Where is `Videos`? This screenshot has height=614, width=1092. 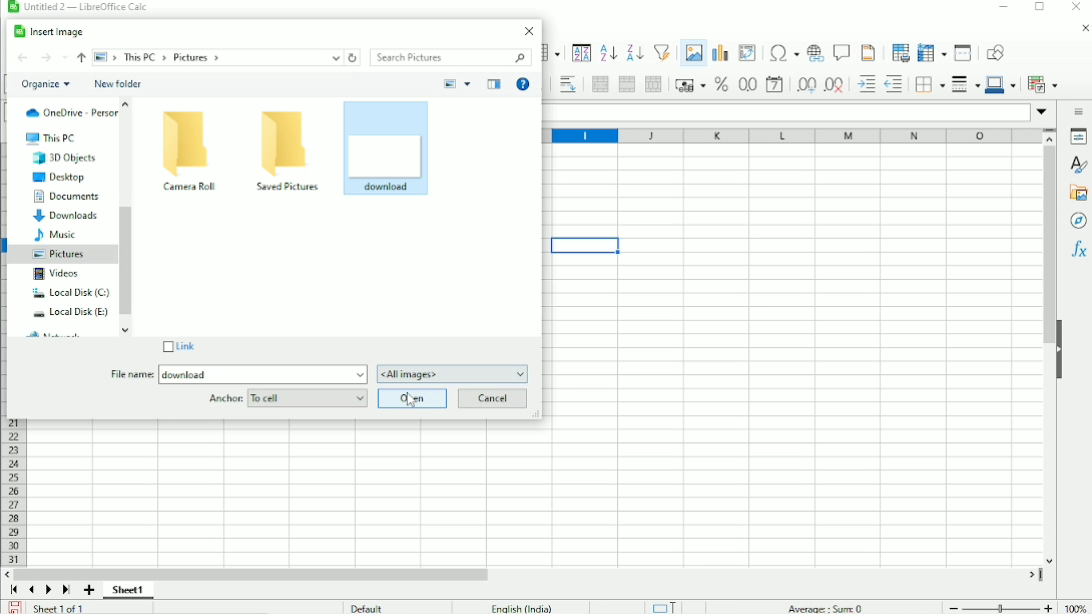 Videos is located at coordinates (54, 274).